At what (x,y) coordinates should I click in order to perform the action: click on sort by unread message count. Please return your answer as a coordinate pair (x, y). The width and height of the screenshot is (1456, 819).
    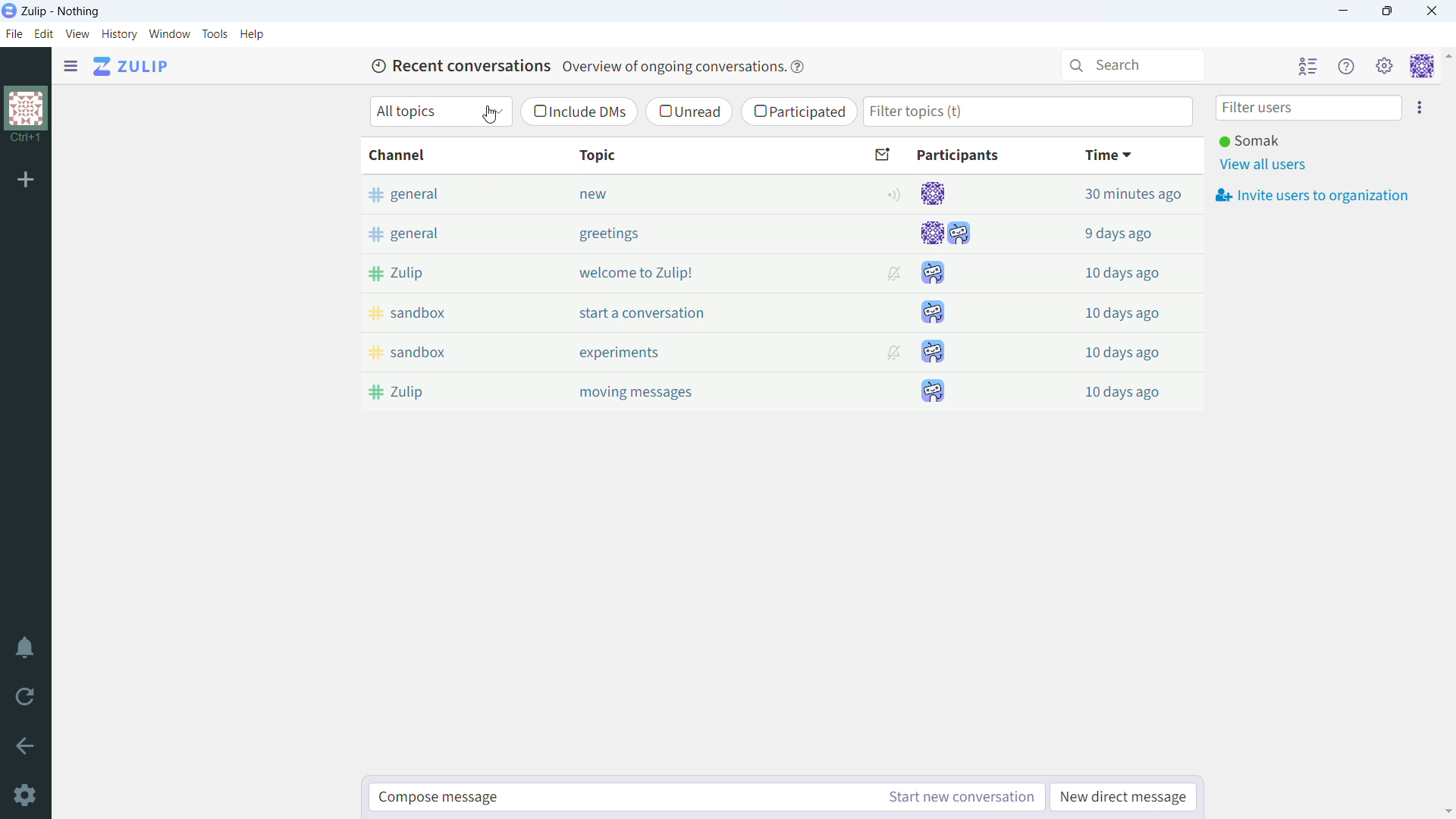
    Looking at the image, I should click on (885, 155).